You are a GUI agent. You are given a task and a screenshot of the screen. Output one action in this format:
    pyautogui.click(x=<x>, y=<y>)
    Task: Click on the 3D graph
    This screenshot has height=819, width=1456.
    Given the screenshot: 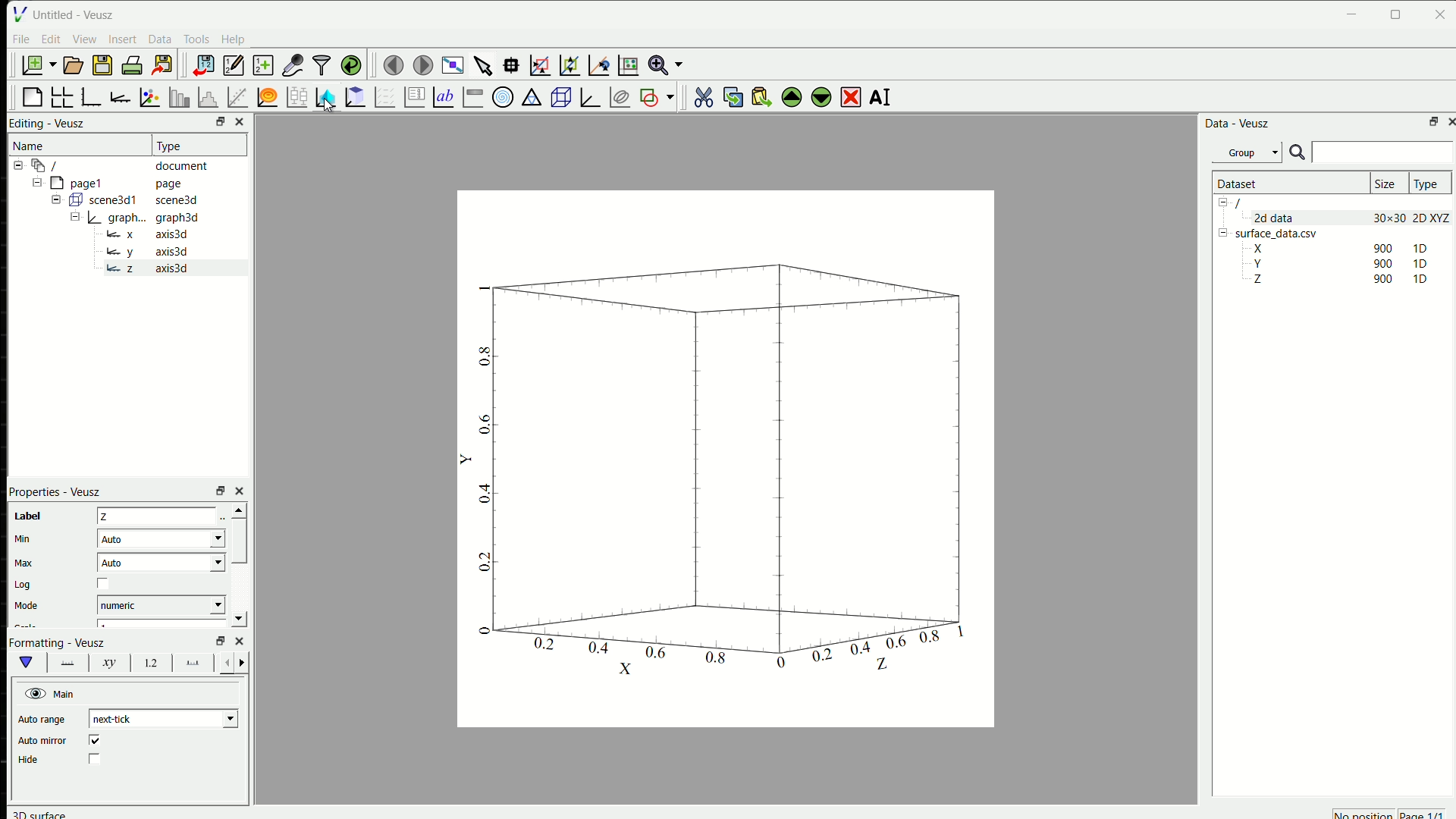 What is the action you would take?
    pyautogui.click(x=591, y=96)
    